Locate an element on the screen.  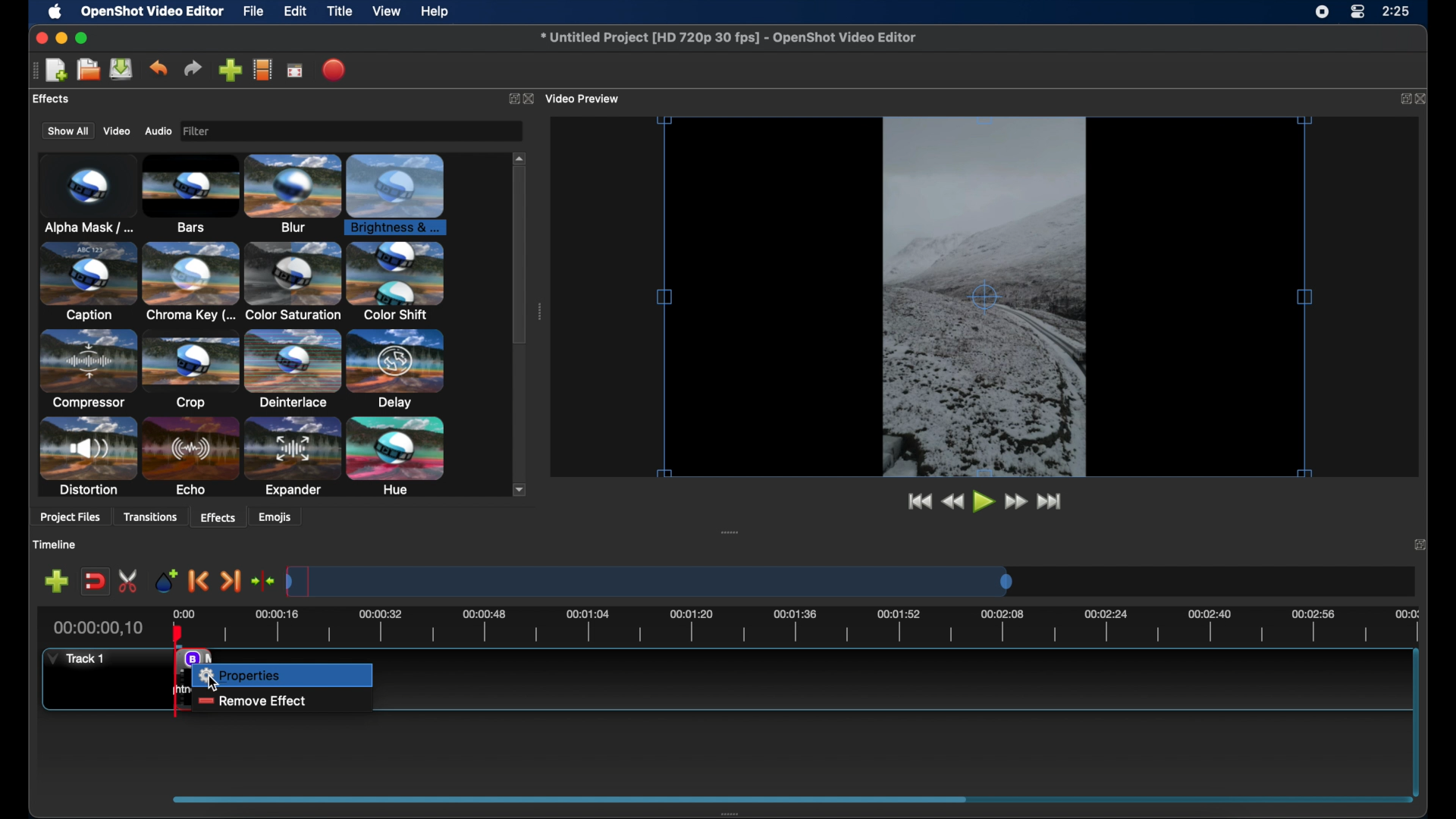
explore profiles is located at coordinates (264, 71).